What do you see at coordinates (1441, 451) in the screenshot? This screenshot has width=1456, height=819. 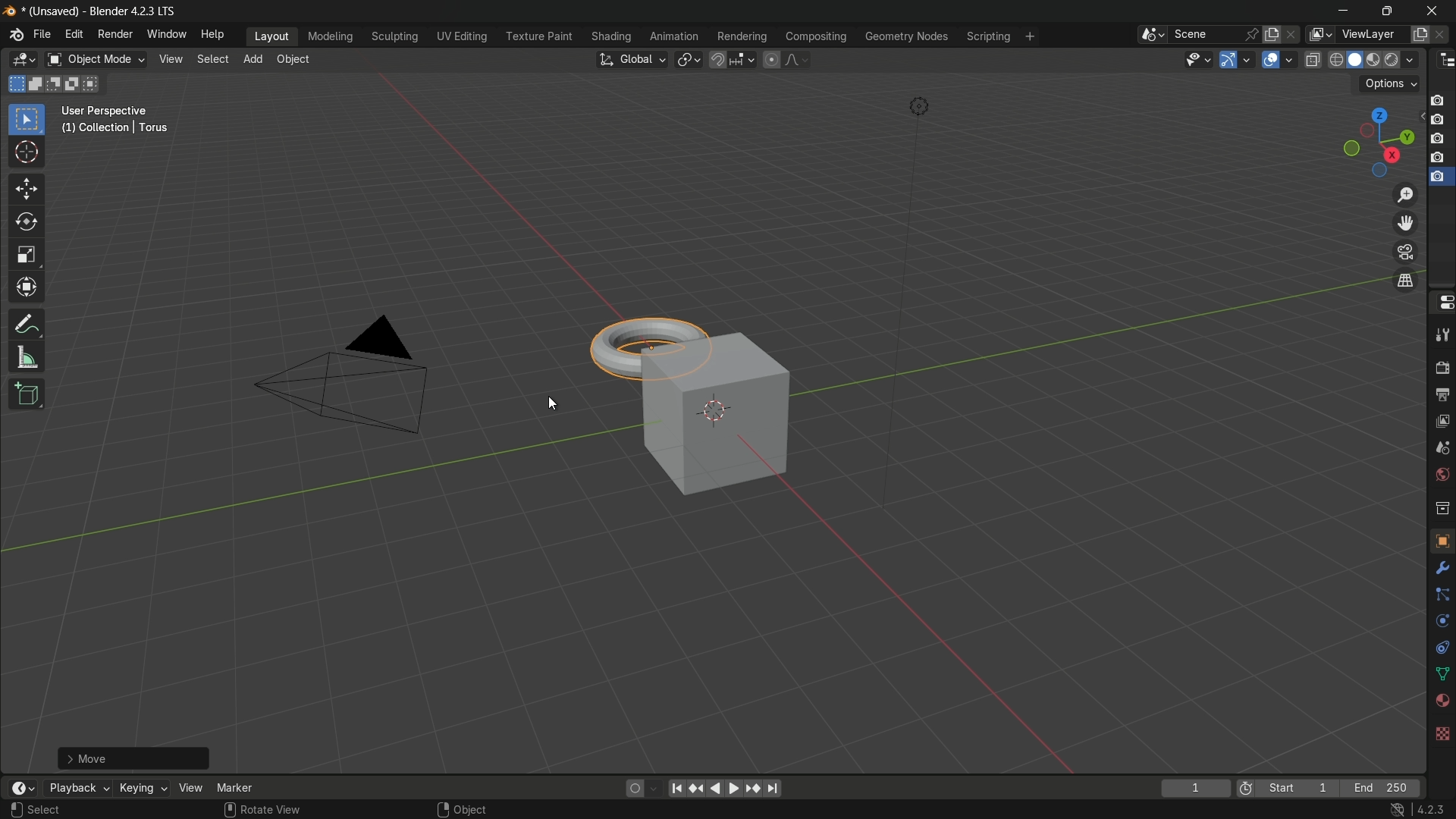 I see `scene` at bounding box center [1441, 451].